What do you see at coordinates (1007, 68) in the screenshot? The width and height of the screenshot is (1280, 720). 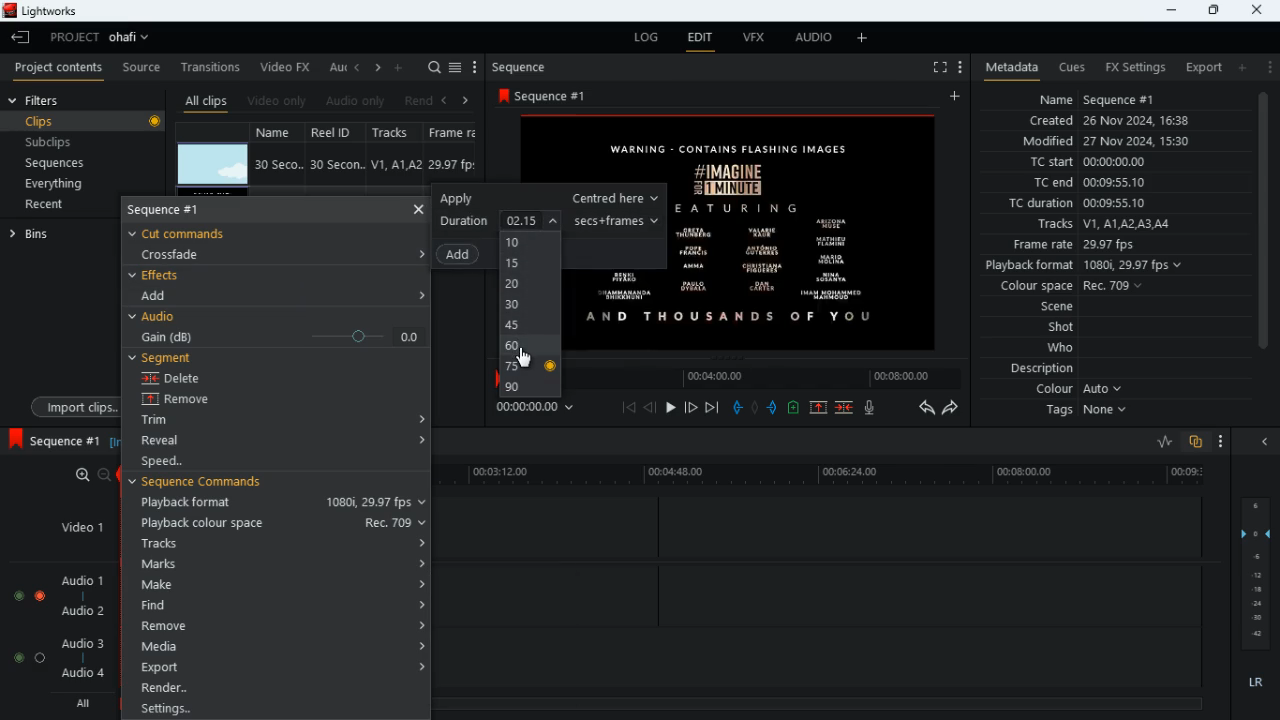 I see `metadata` at bounding box center [1007, 68].